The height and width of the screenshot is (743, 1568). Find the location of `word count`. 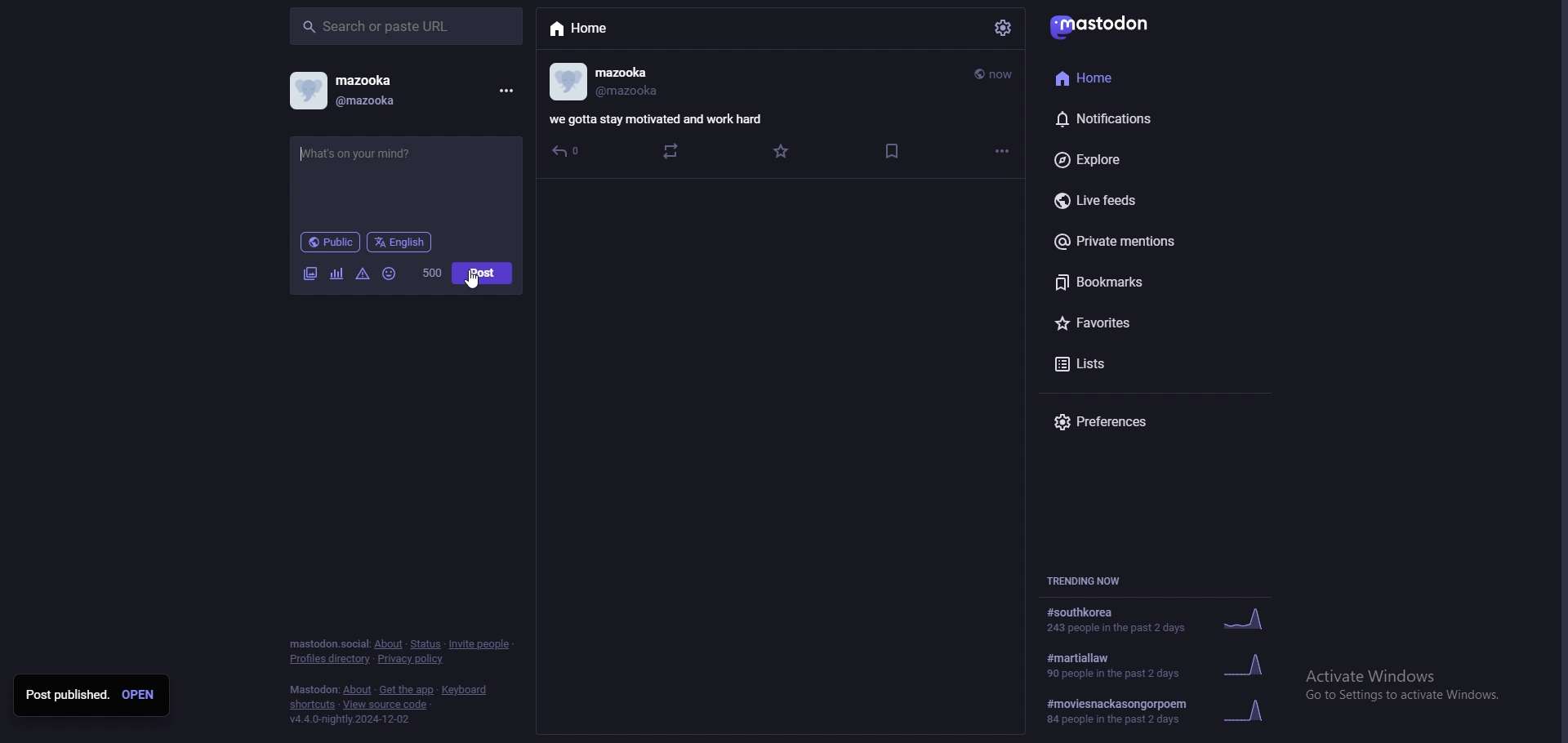

word count is located at coordinates (432, 273).